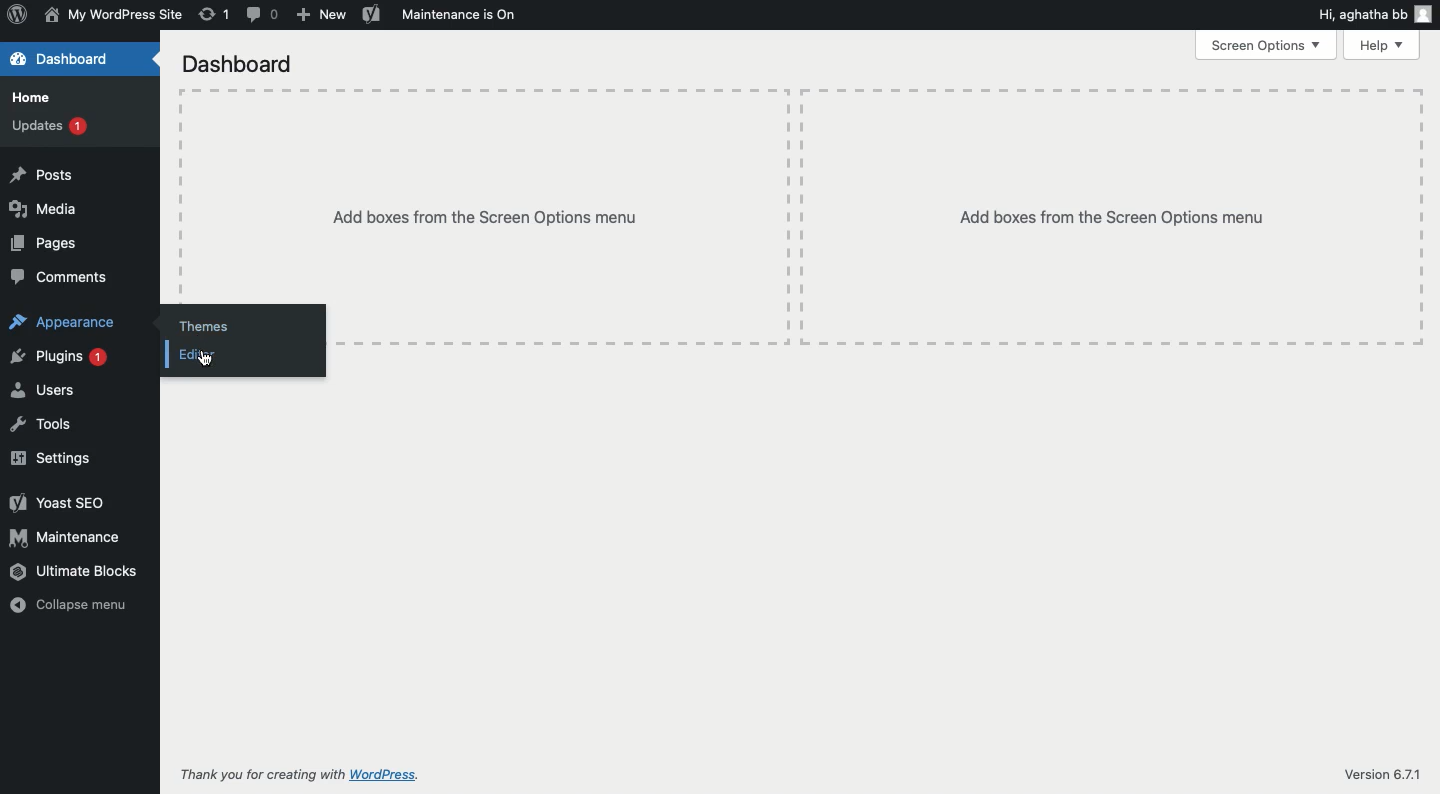 The image size is (1440, 794). Describe the element at coordinates (52, 459) in the screenshot. I see `Settings` at that location.